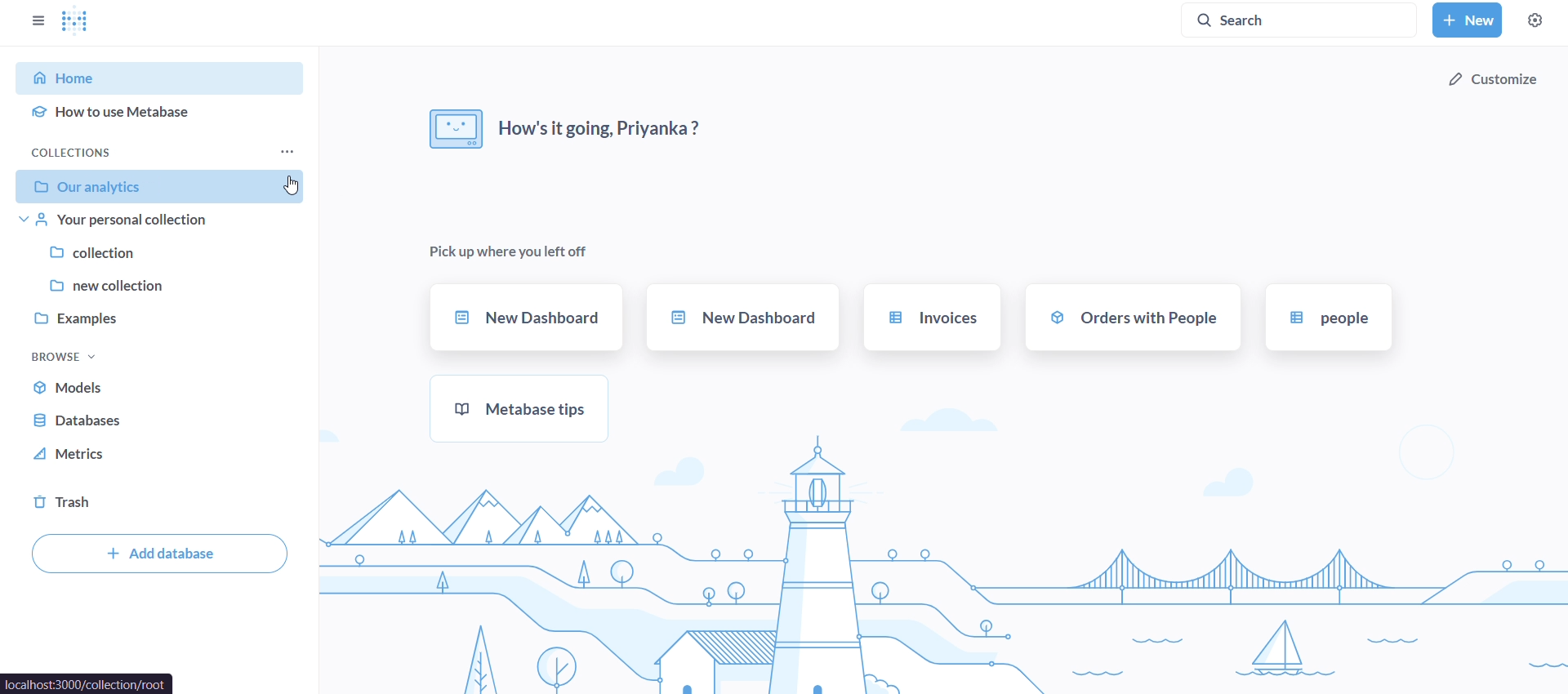 The height and width of the screenshot is (694, 1568). I want to click on browse, so click(61, 358).